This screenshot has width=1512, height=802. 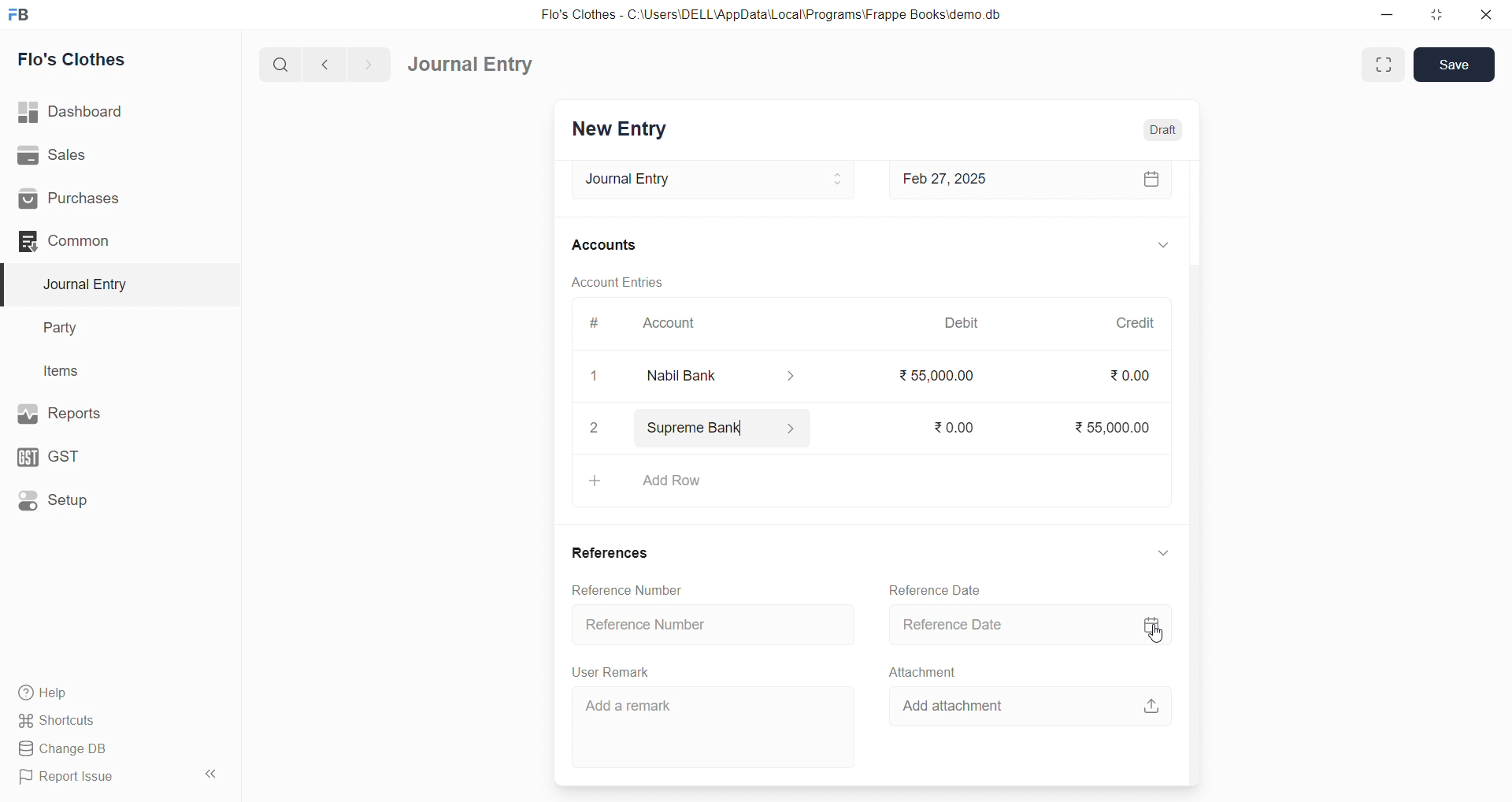 I want to click on navigate forward, so click(x=372, y=64).